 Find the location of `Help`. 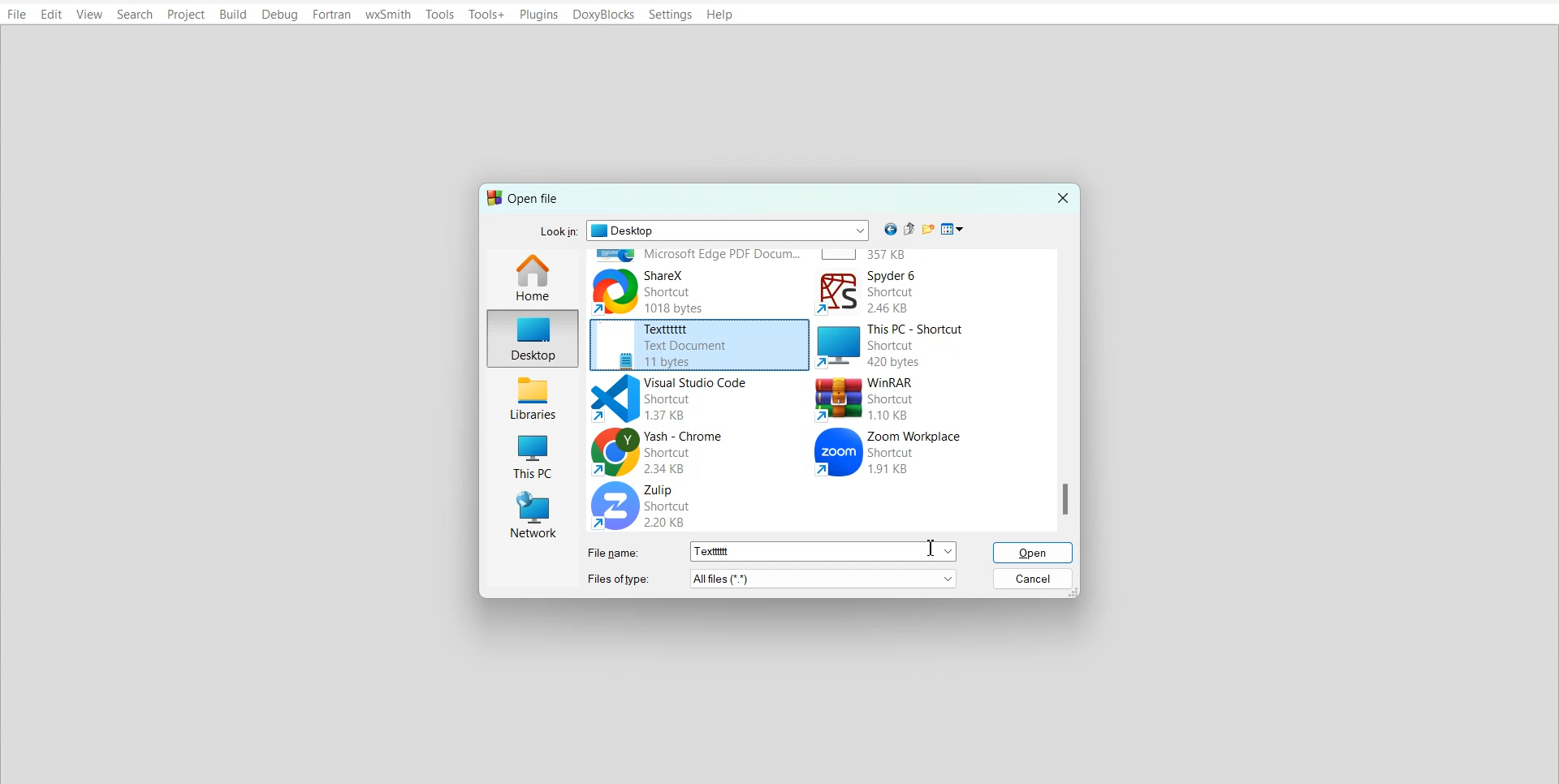

Help is located at coordinates (719, 15).